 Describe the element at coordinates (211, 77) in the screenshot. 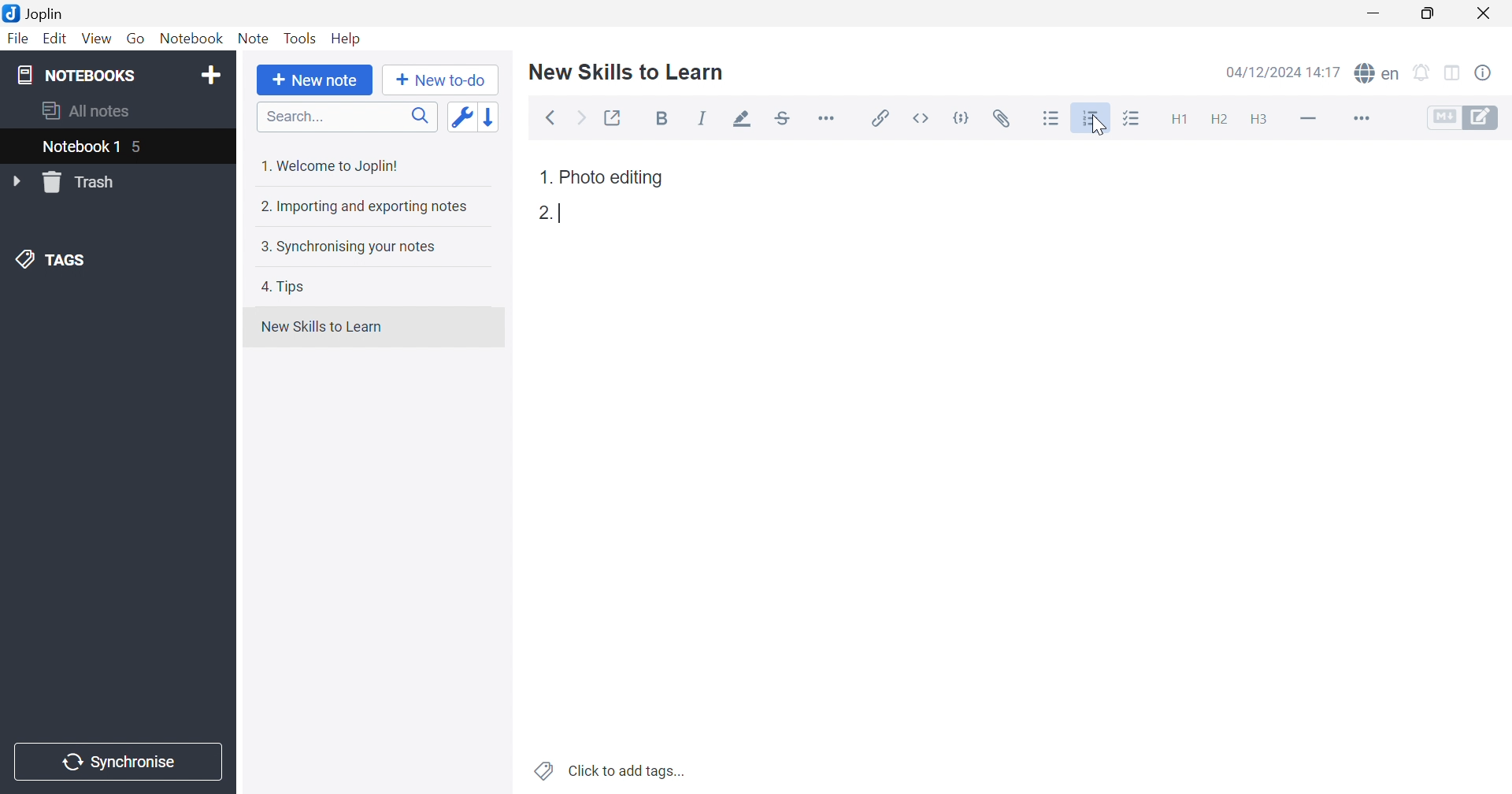

I see `Add notebook` at that location.